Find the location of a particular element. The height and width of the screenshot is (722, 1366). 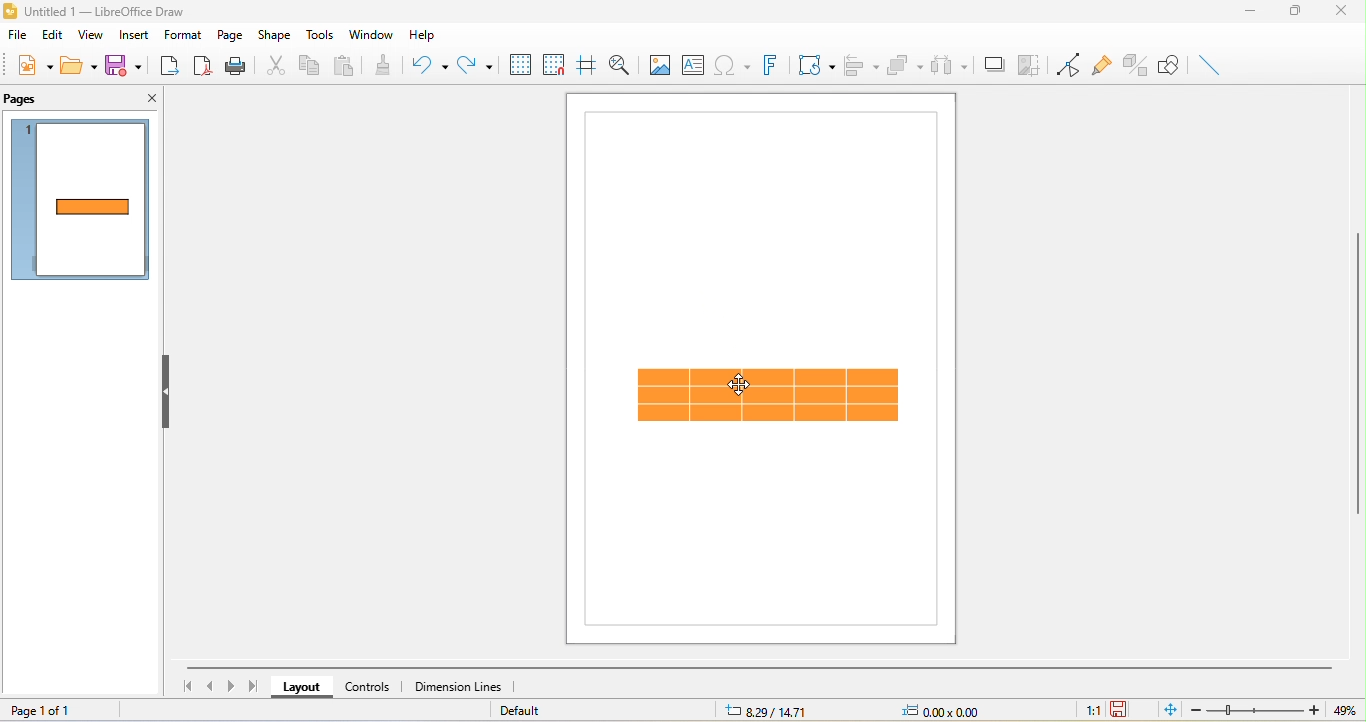

image is located at coordinates (659, 65).